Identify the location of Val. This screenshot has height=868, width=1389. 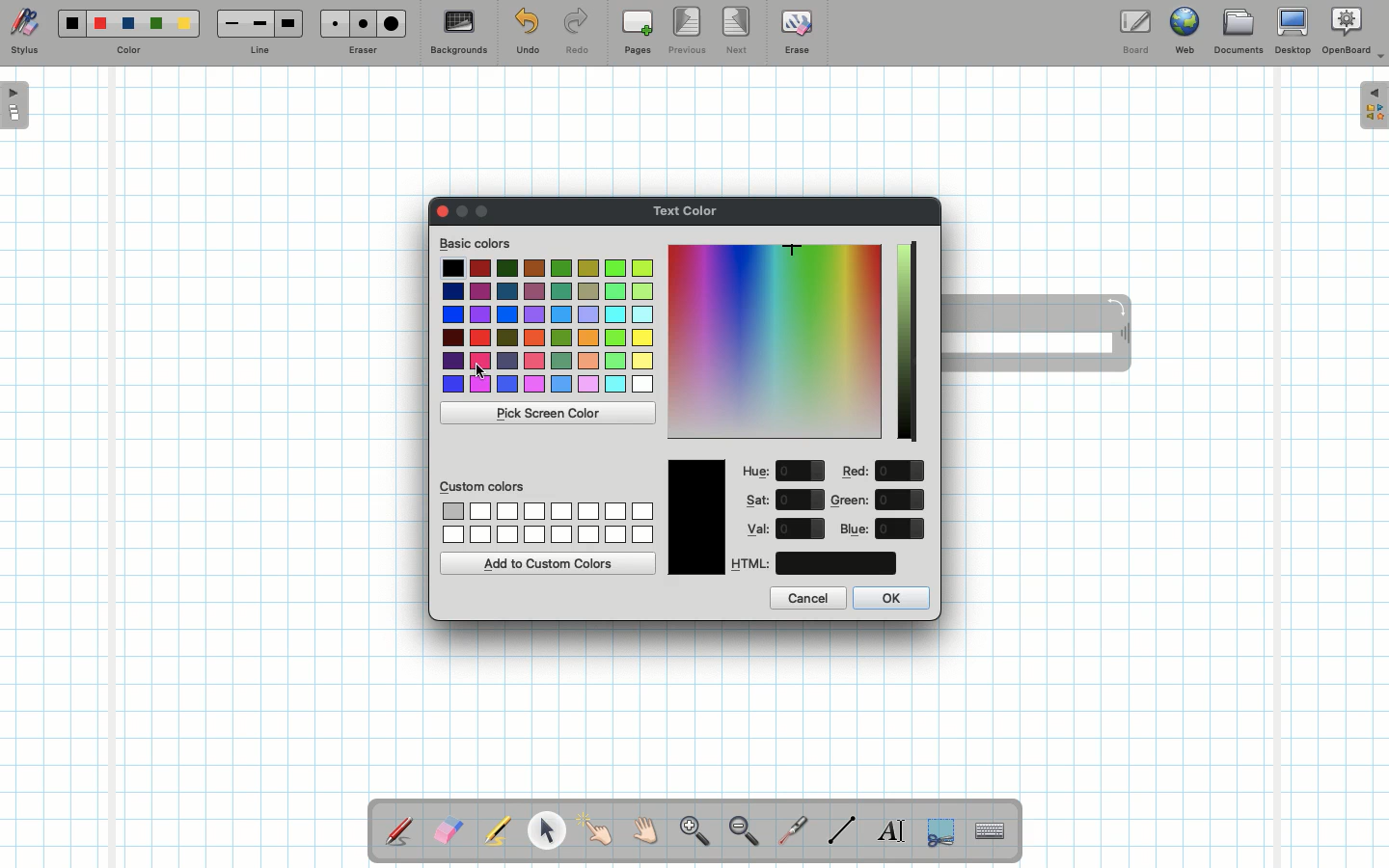
(758, 529).